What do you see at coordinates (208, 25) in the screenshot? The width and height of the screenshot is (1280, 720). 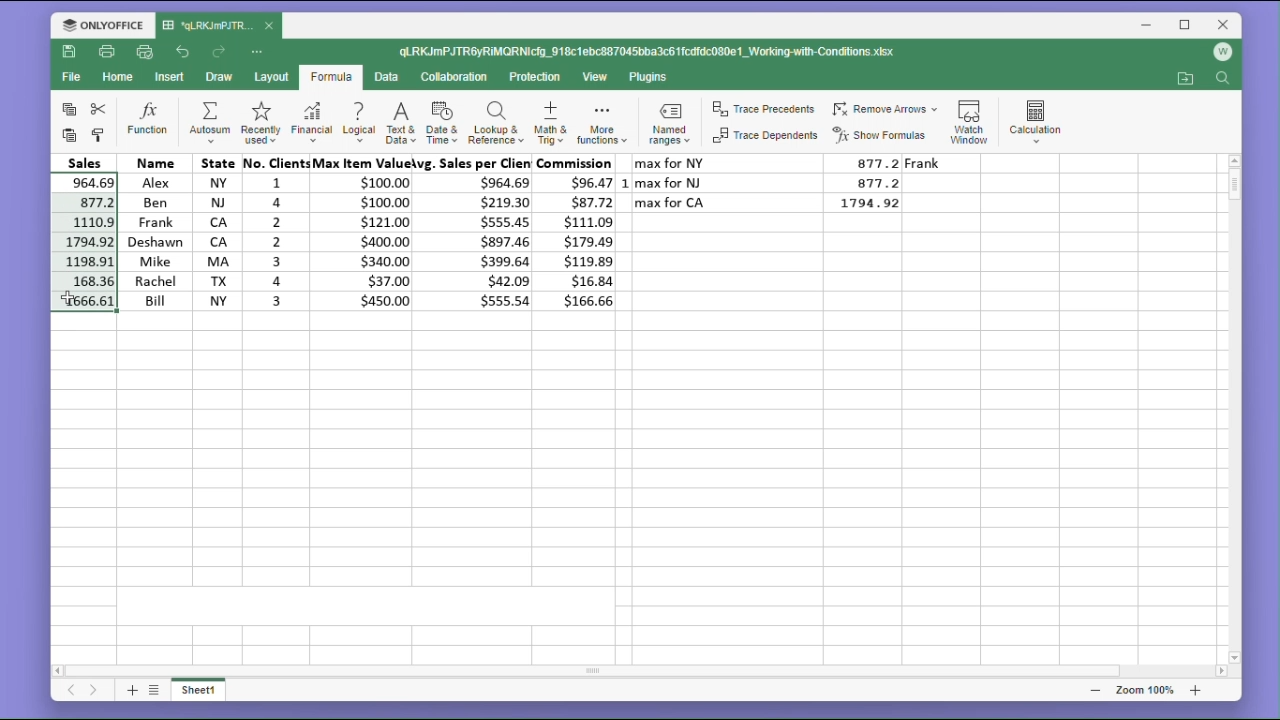 I see `'qLRKJmPJTR...` at bounding box center [208, 25].